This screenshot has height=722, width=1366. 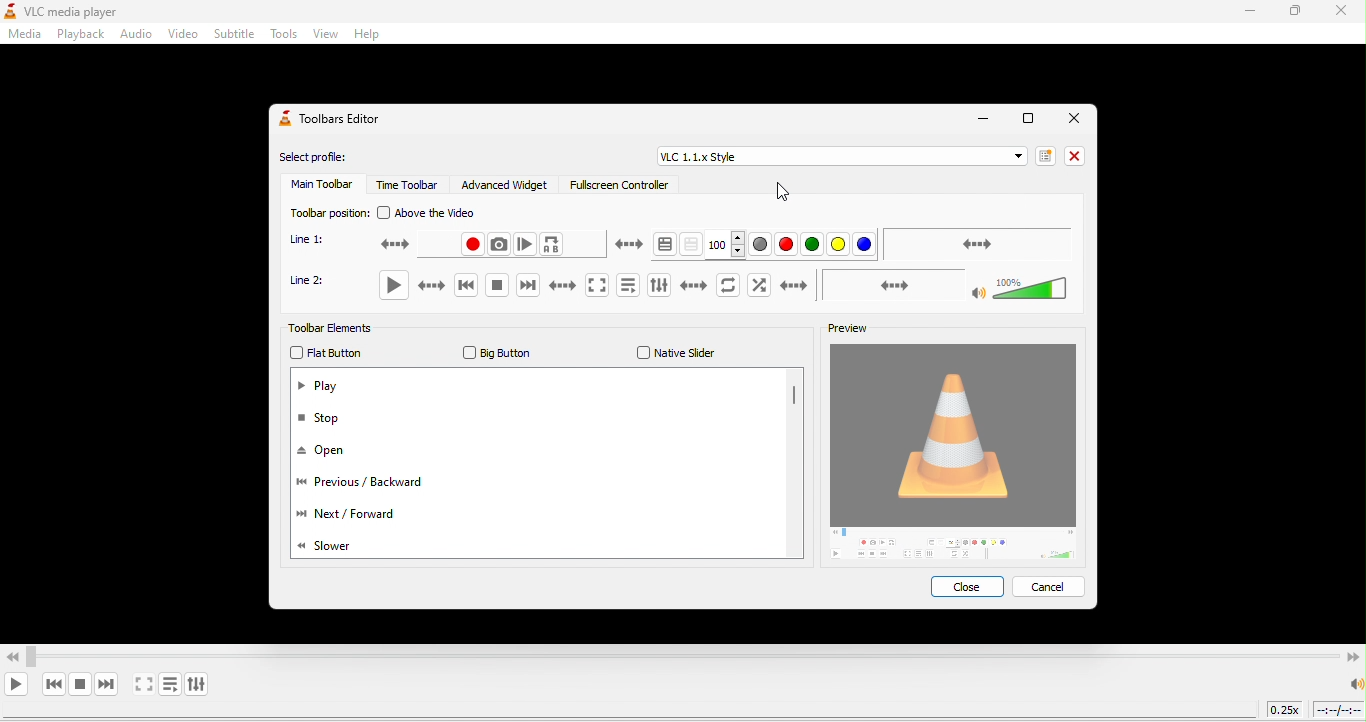 I want to click on next/forward, so click(x=346, y=517).